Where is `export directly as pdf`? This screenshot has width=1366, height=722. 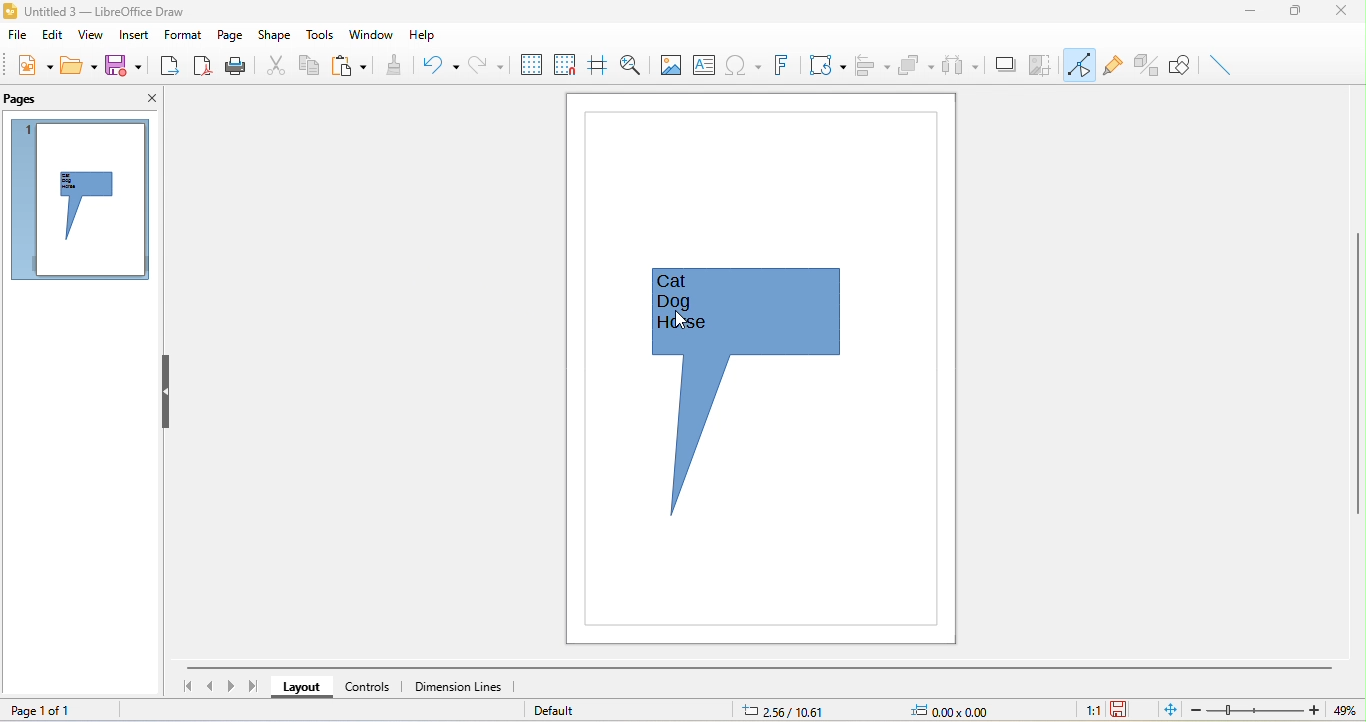 export directly as pdf is located at coordinates (204, 68).